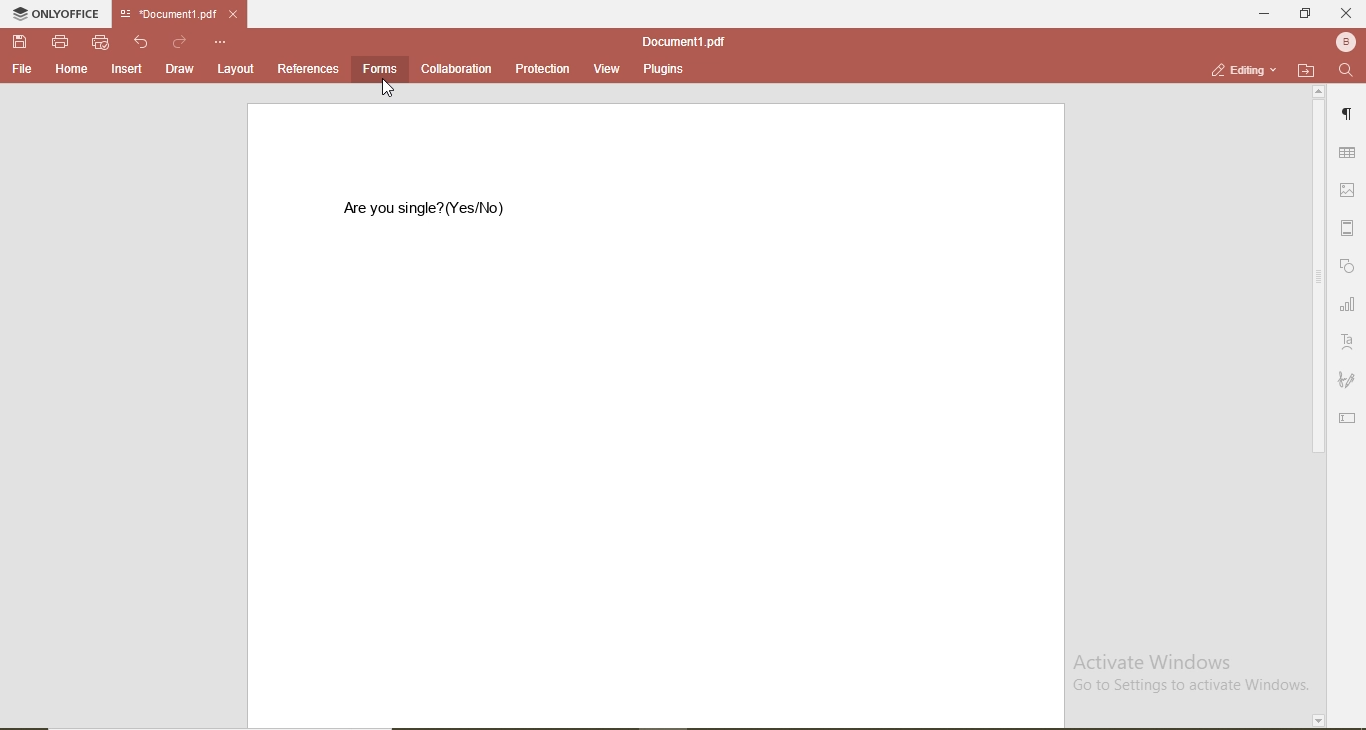 Image resolution: width=1366 pixels, height=730 pixels. I want to click on options, so click(221, 43).